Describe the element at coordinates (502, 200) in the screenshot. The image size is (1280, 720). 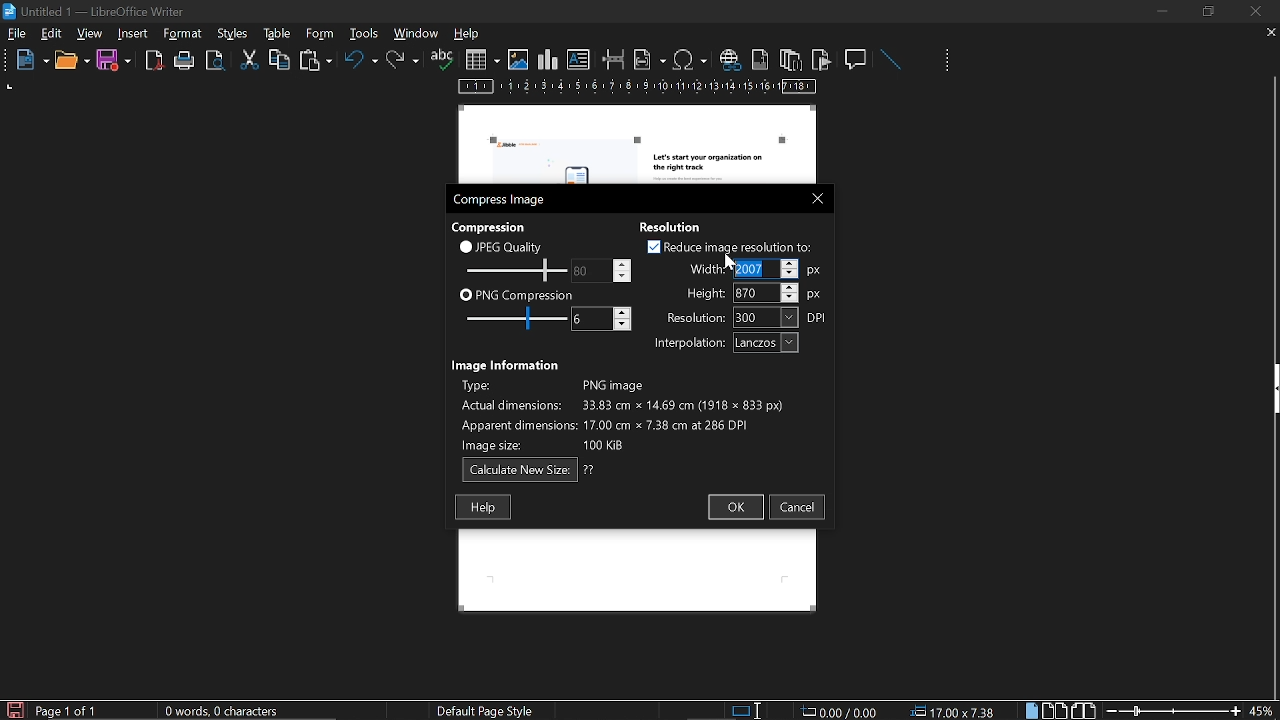
I see `compress image` at that location.